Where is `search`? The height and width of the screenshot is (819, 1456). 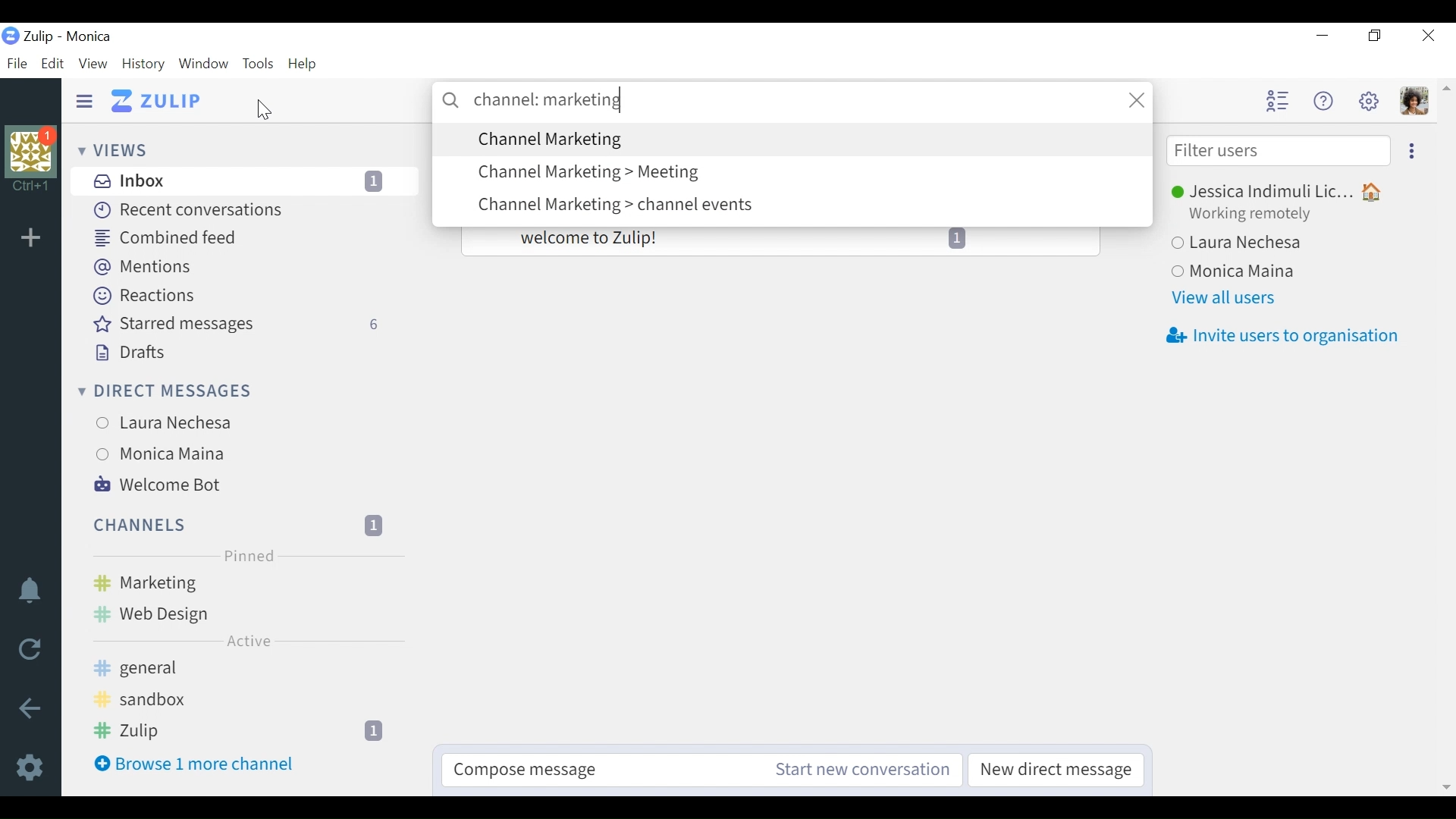
search is located at coordinates (793, 101).